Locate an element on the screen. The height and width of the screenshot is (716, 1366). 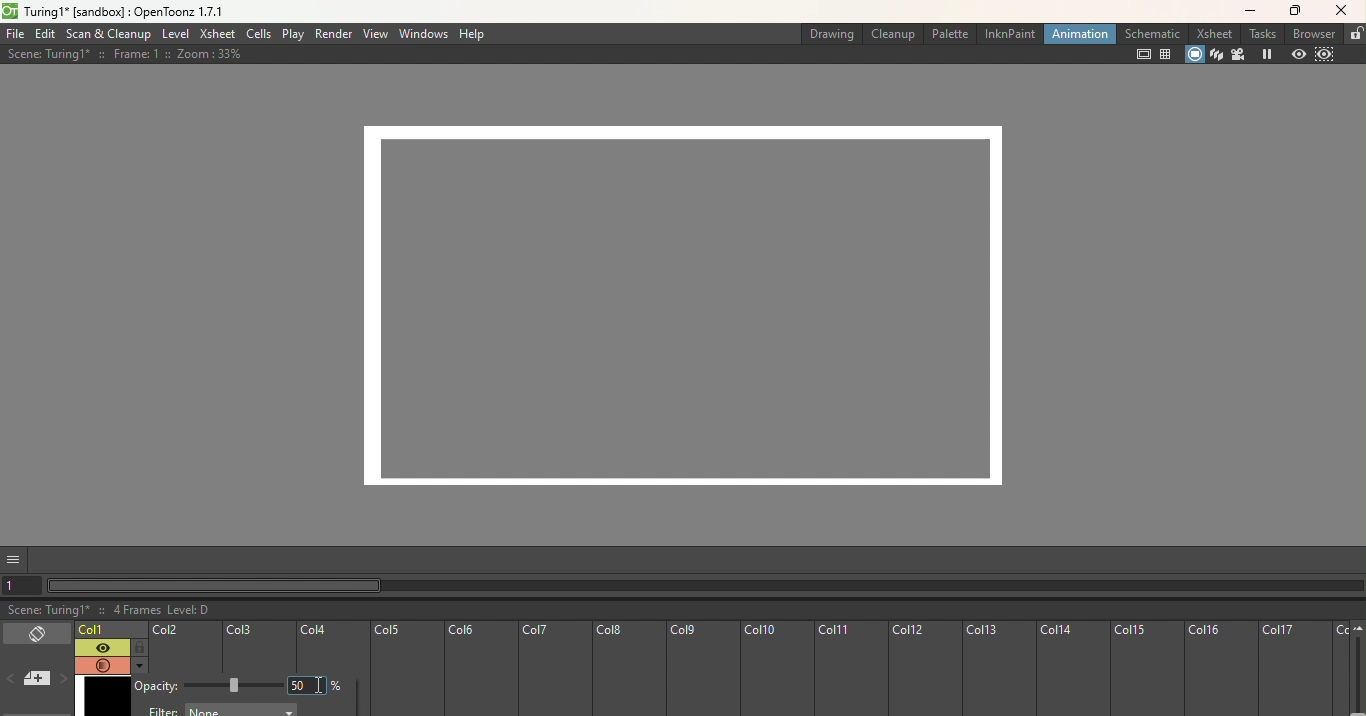
xsheet is located at coordinates (216, 34).